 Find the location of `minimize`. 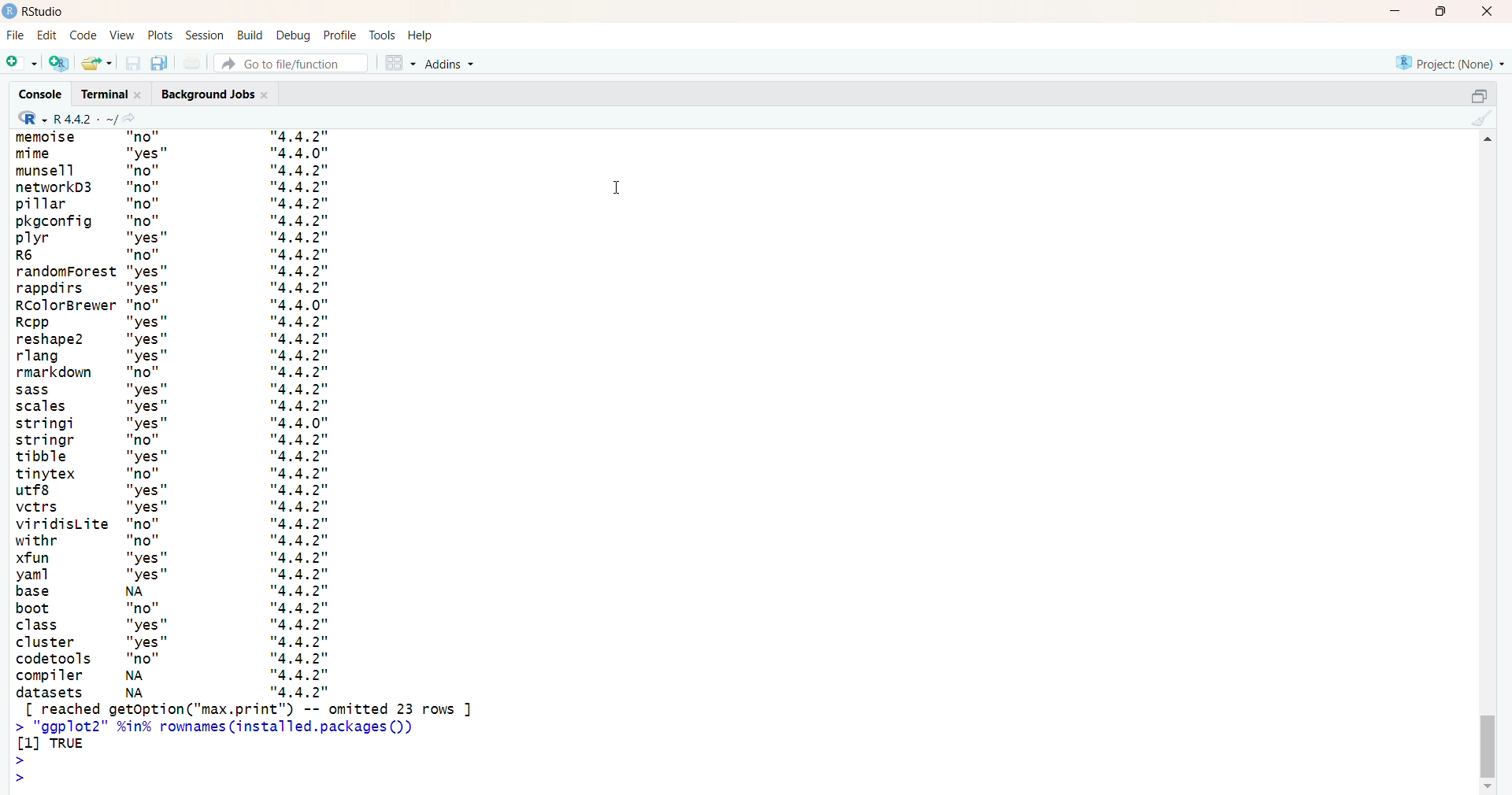

minimize is located at coordinates (1392, 11).